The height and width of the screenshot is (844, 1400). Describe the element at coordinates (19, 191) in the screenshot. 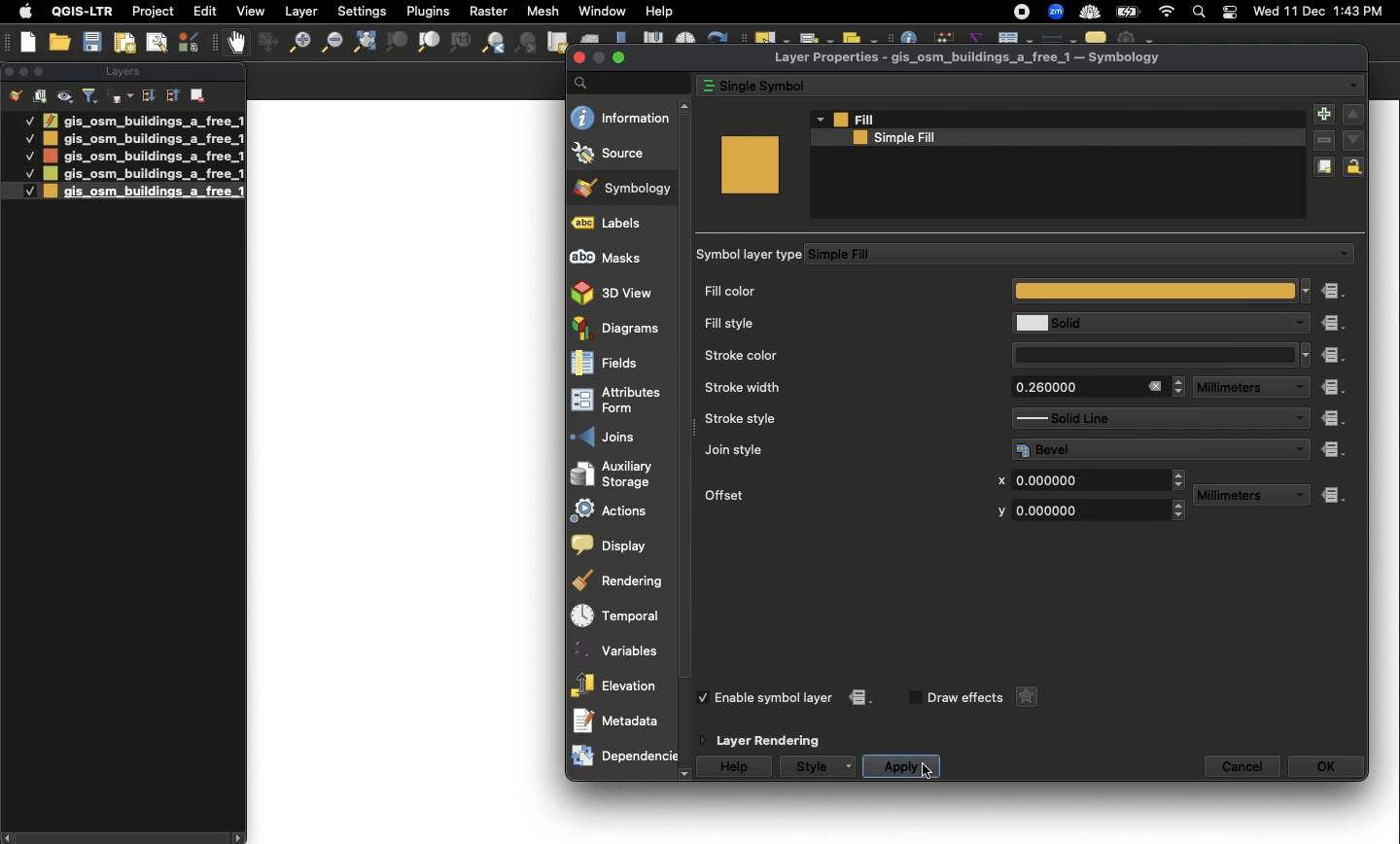

I see `Checked` at that location.